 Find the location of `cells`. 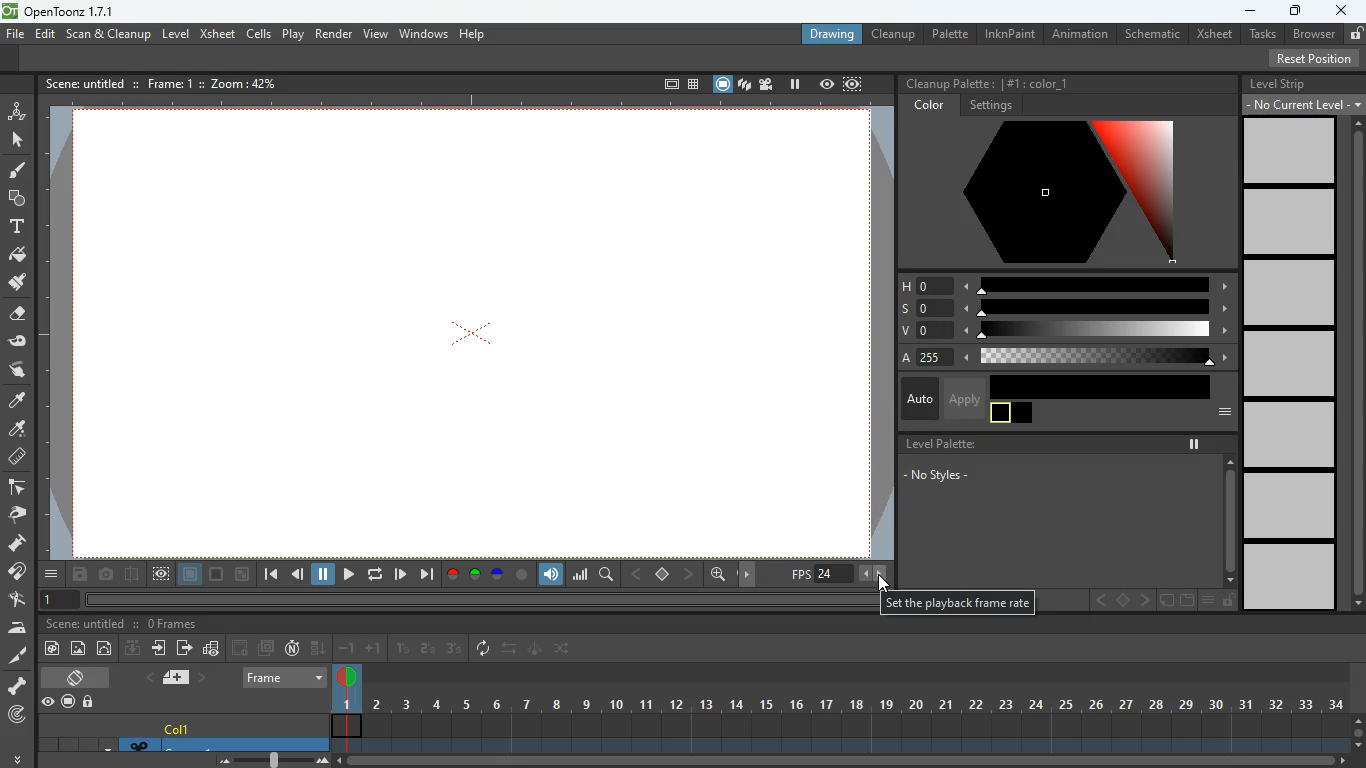

cells is located at coordinates (260, 33).